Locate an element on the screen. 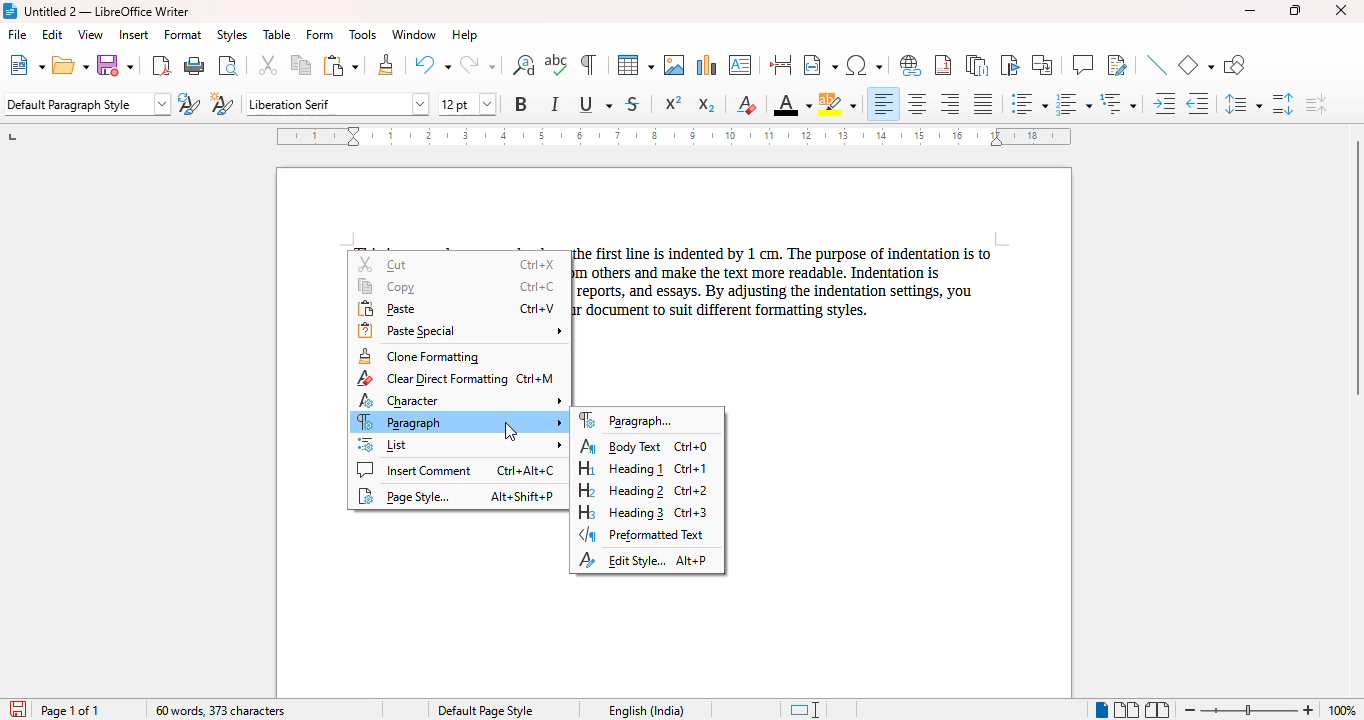 The width and height of the screenshot is (1364, 720). new style from selection is located at coordinates (223, 103).